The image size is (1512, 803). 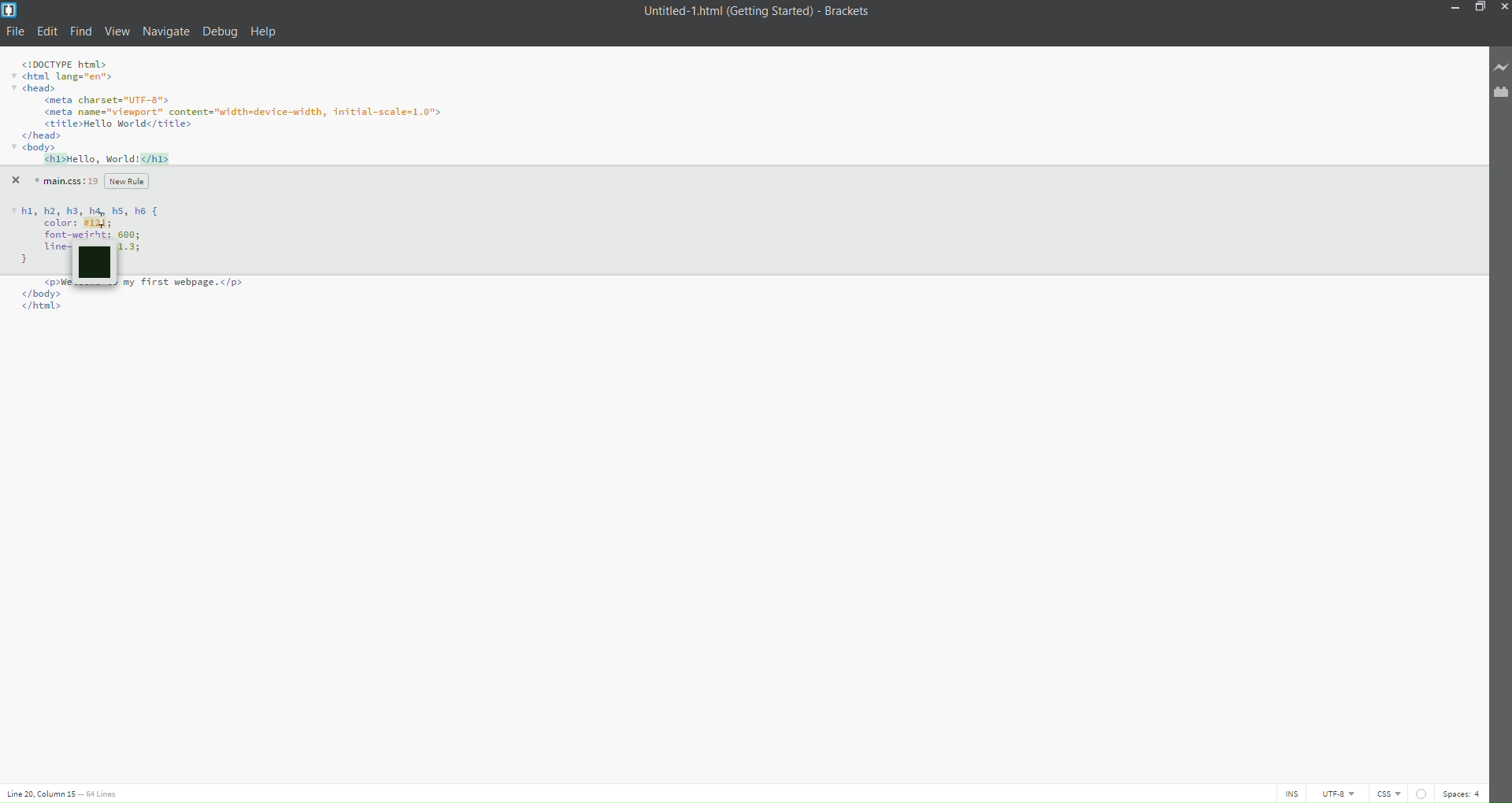 I want to click on file type, so click(x=1385, y=794).